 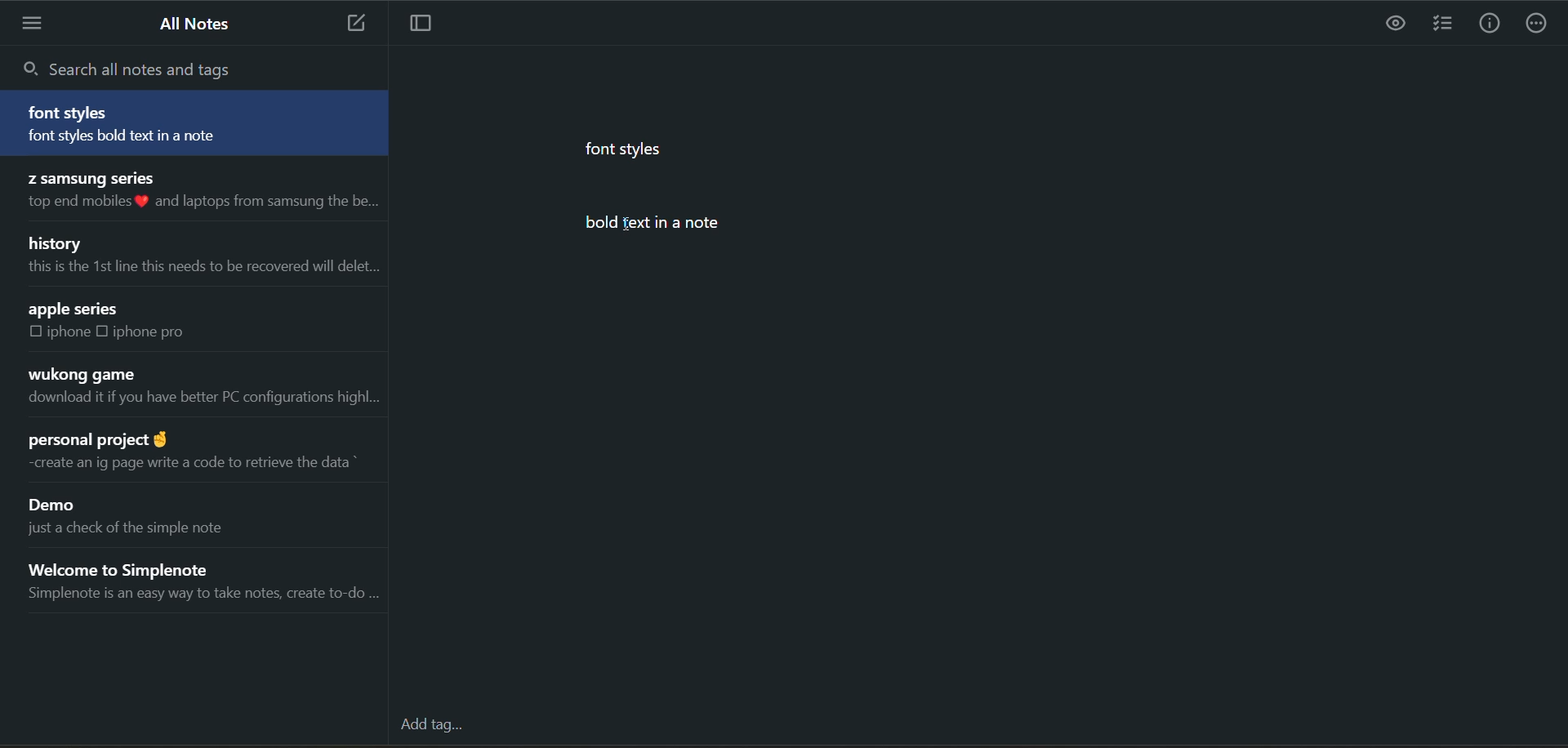 I want to click on font styles bold text in a note, so click(x=154, y=138).